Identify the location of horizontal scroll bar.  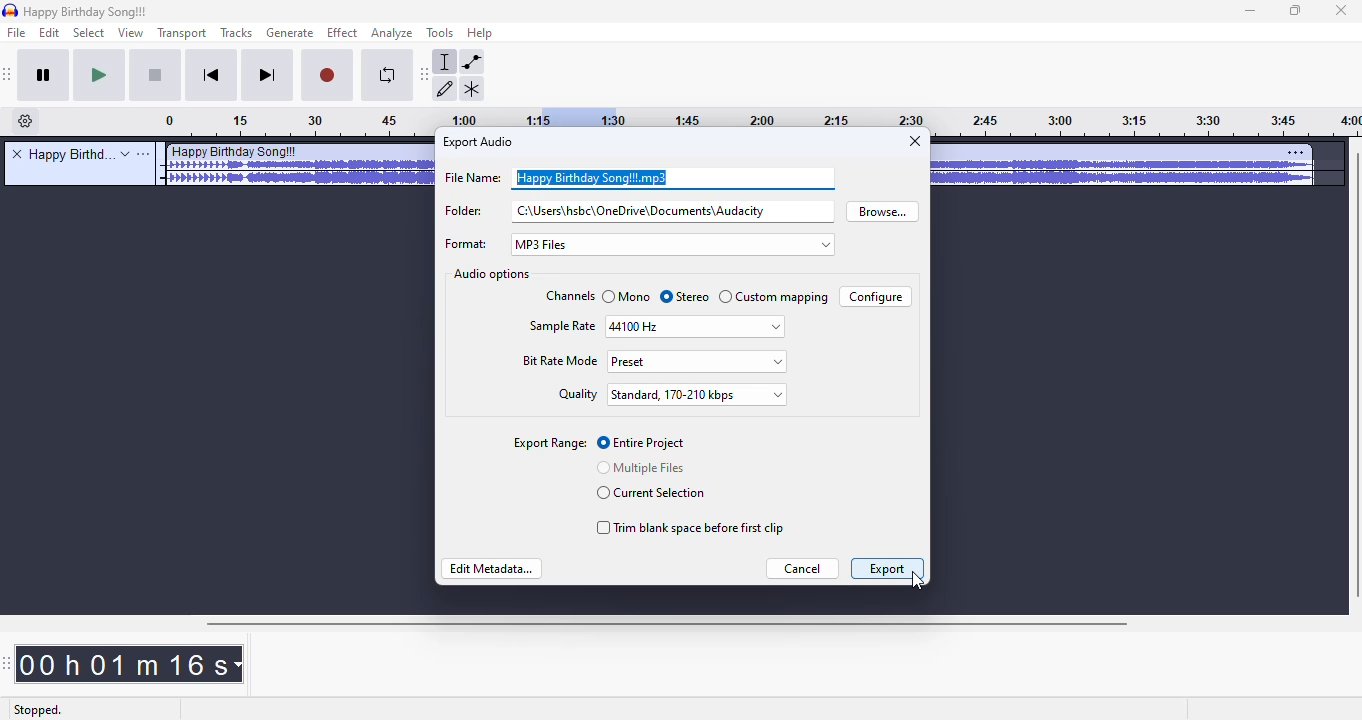
(669, 624).